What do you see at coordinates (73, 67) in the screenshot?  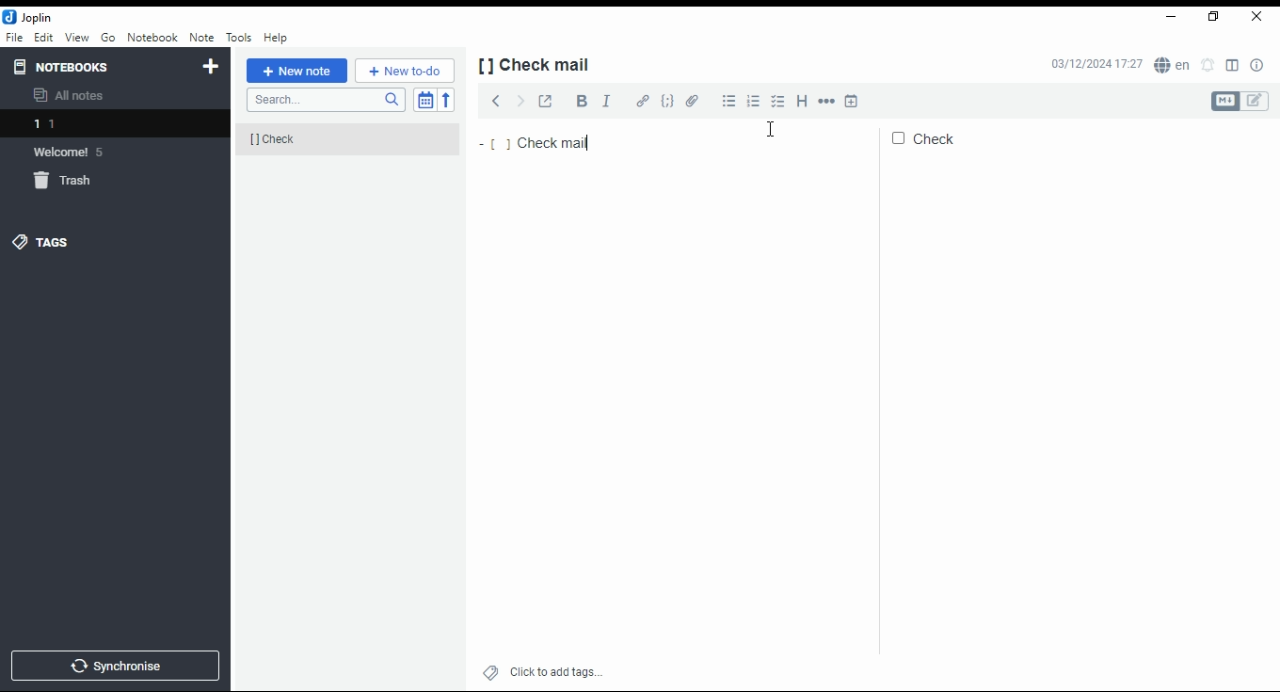 I see `notebooks` at bounding box center [73, 67].